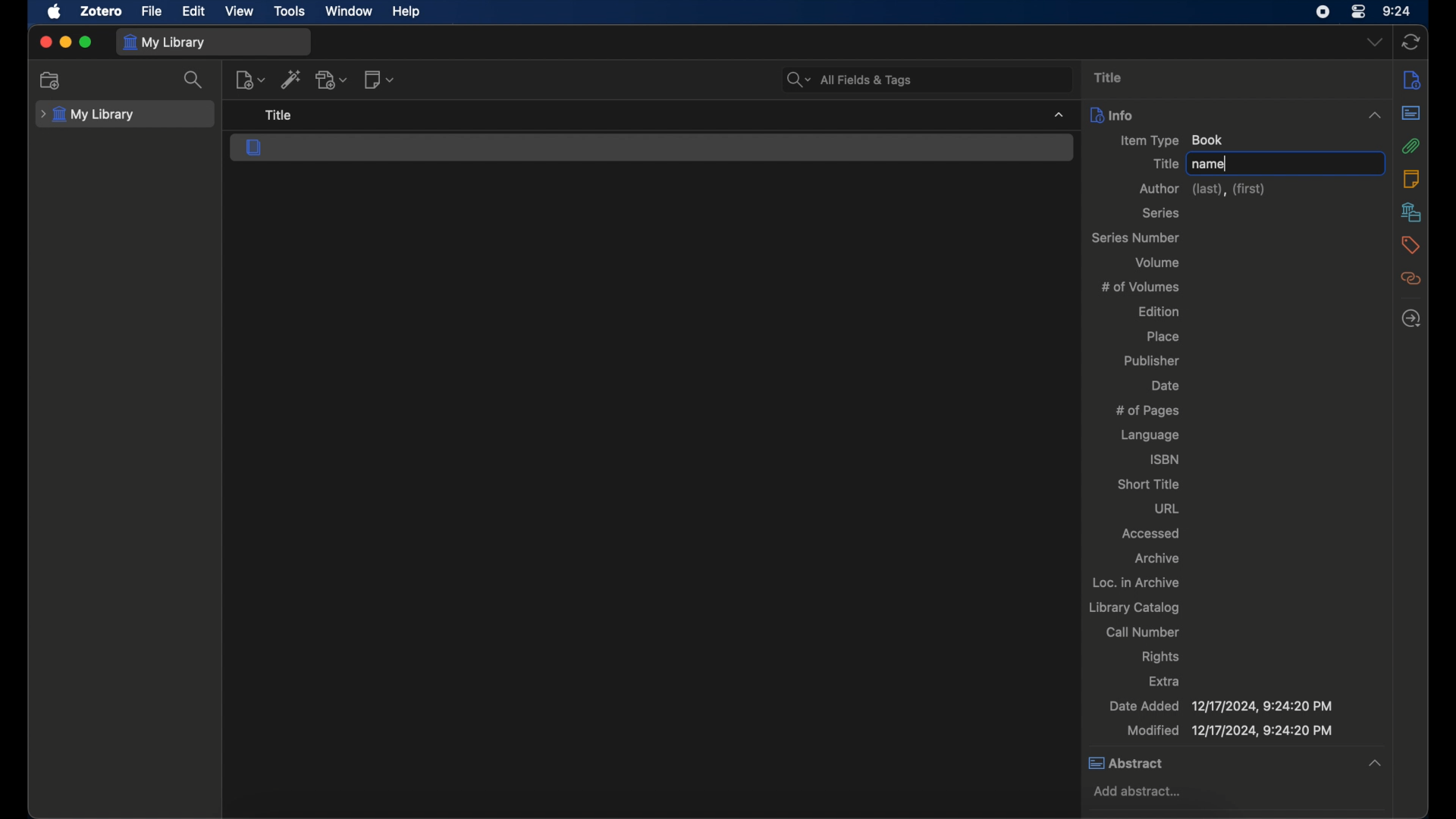 The image size is (1456, 819). I want to click on add items, so click(291, 79).